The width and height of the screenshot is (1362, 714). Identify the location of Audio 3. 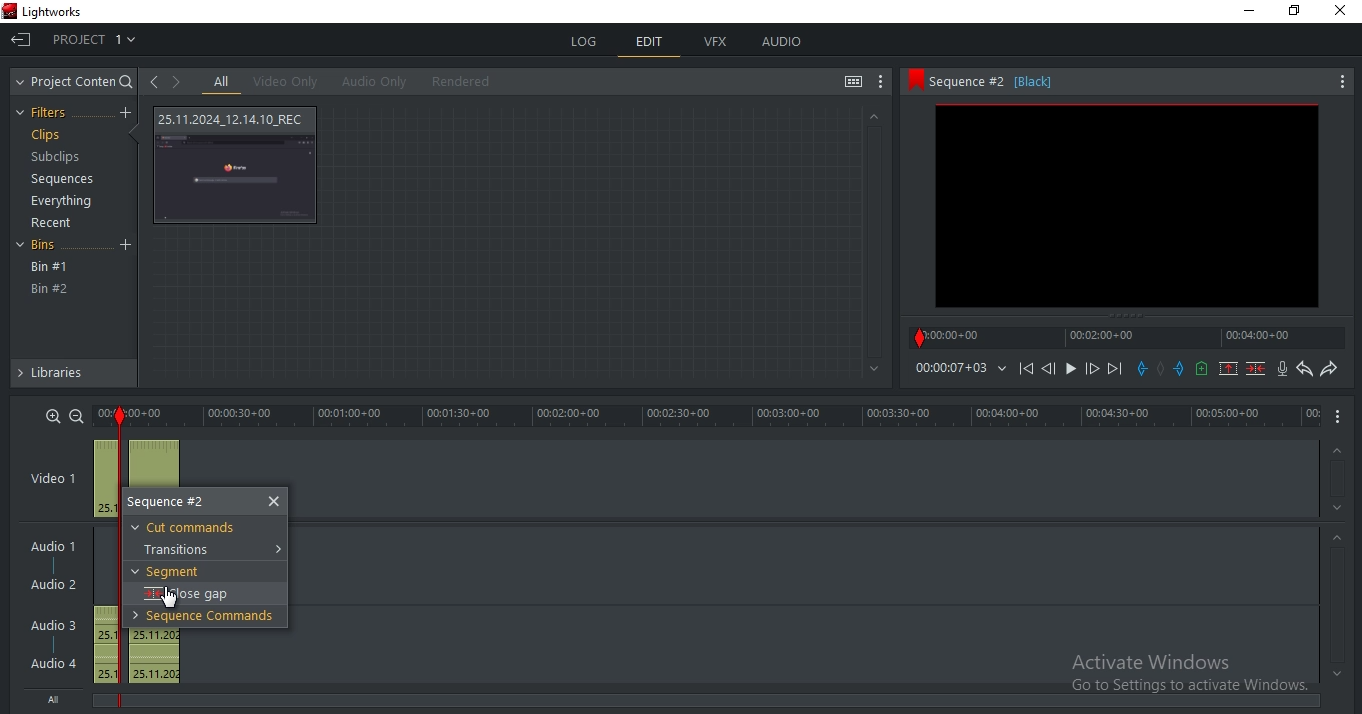
(51, 623).